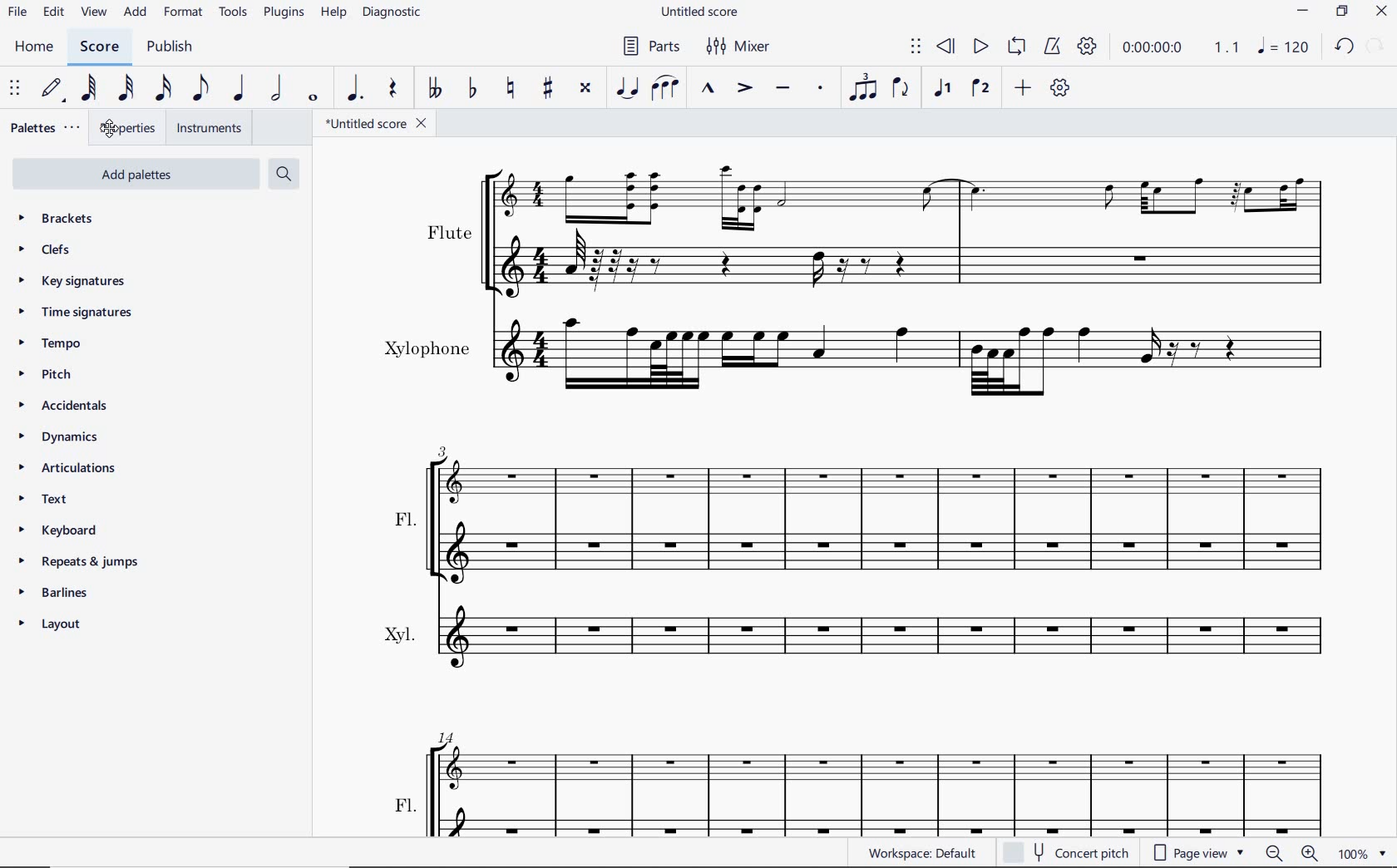 Image resolution: width=1397 pixels, height=868 pixels. What do you see at coordinates (18, 14) in the screenshot?
I see `file` at bounding box center [18, 14].